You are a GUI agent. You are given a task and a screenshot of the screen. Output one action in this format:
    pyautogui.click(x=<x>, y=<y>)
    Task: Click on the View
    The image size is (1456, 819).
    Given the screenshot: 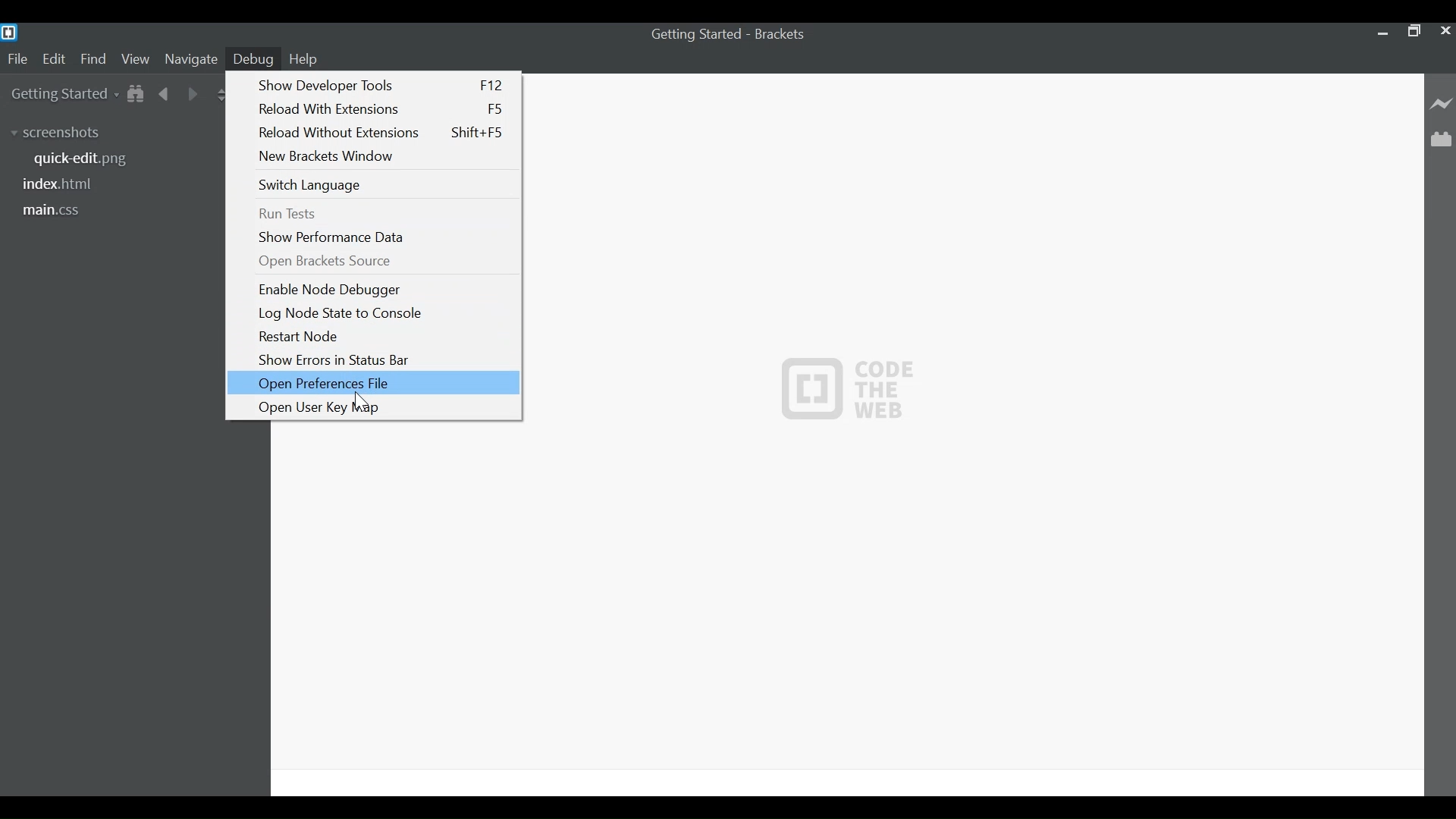 What is the action you would take?
    pyautogui.click(x=136, y=58)
    